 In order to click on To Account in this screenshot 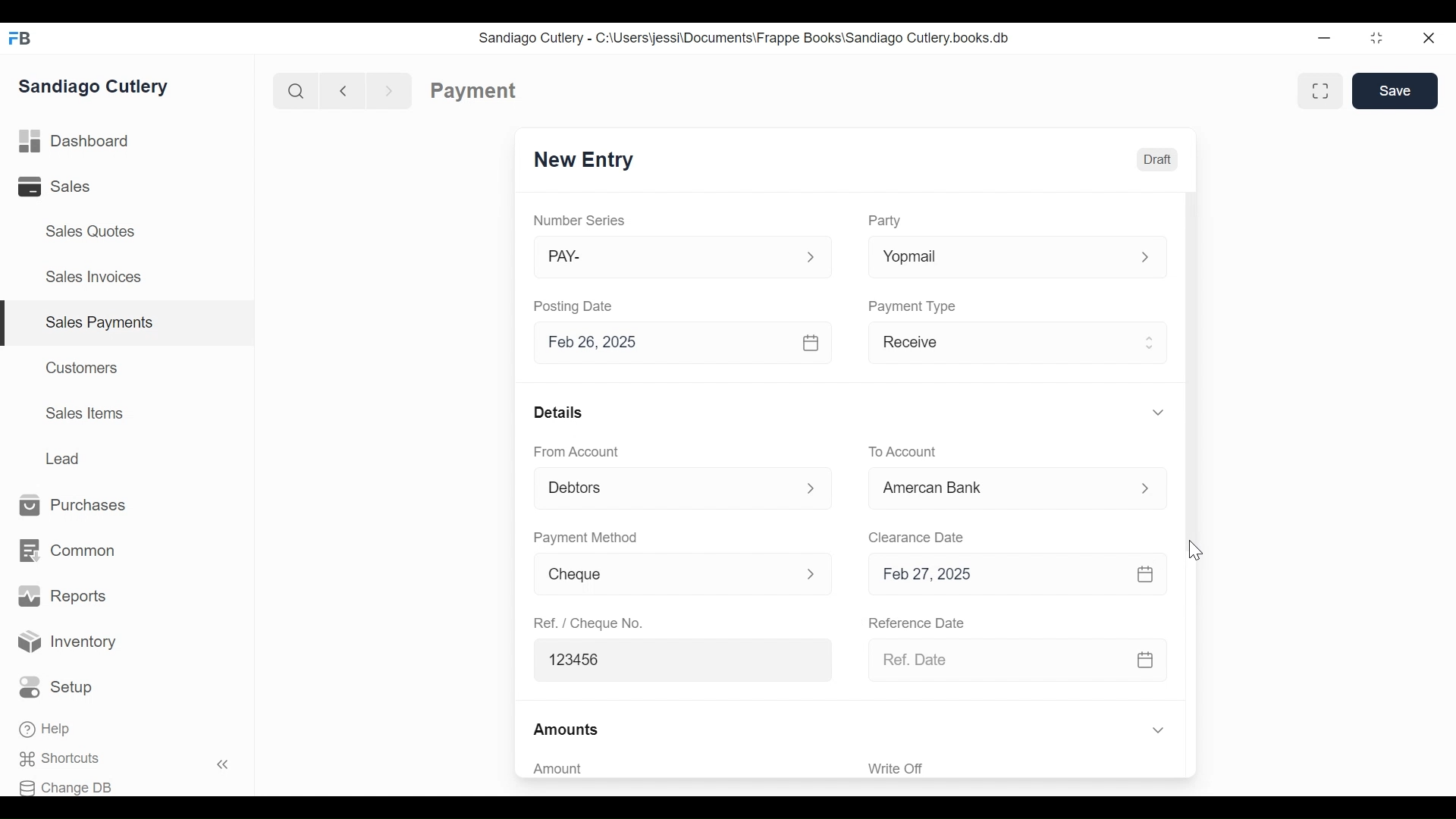, I will do `click(903, 452)`.